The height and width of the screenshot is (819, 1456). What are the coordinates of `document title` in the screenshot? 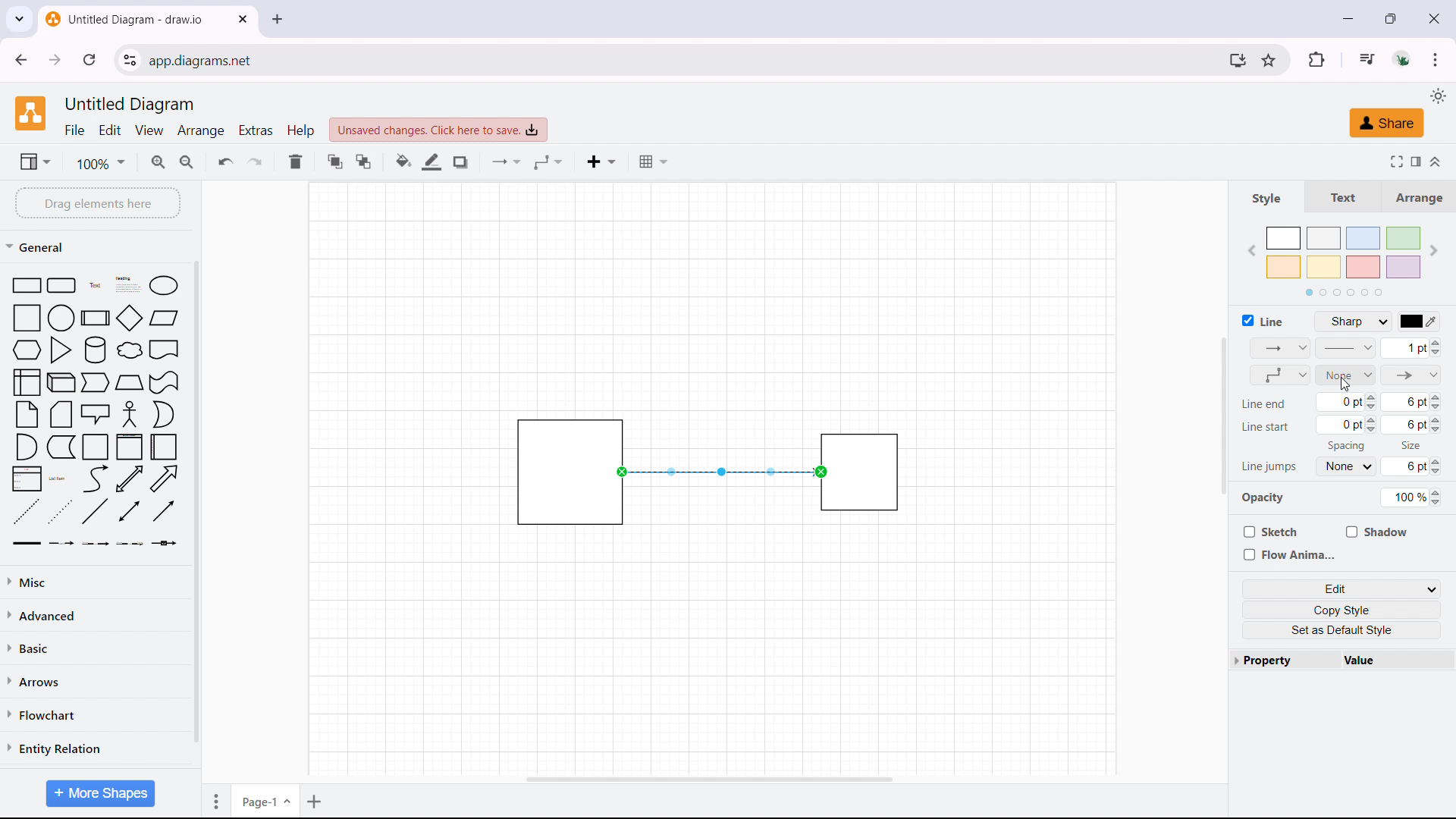 It's located at (132, 105).